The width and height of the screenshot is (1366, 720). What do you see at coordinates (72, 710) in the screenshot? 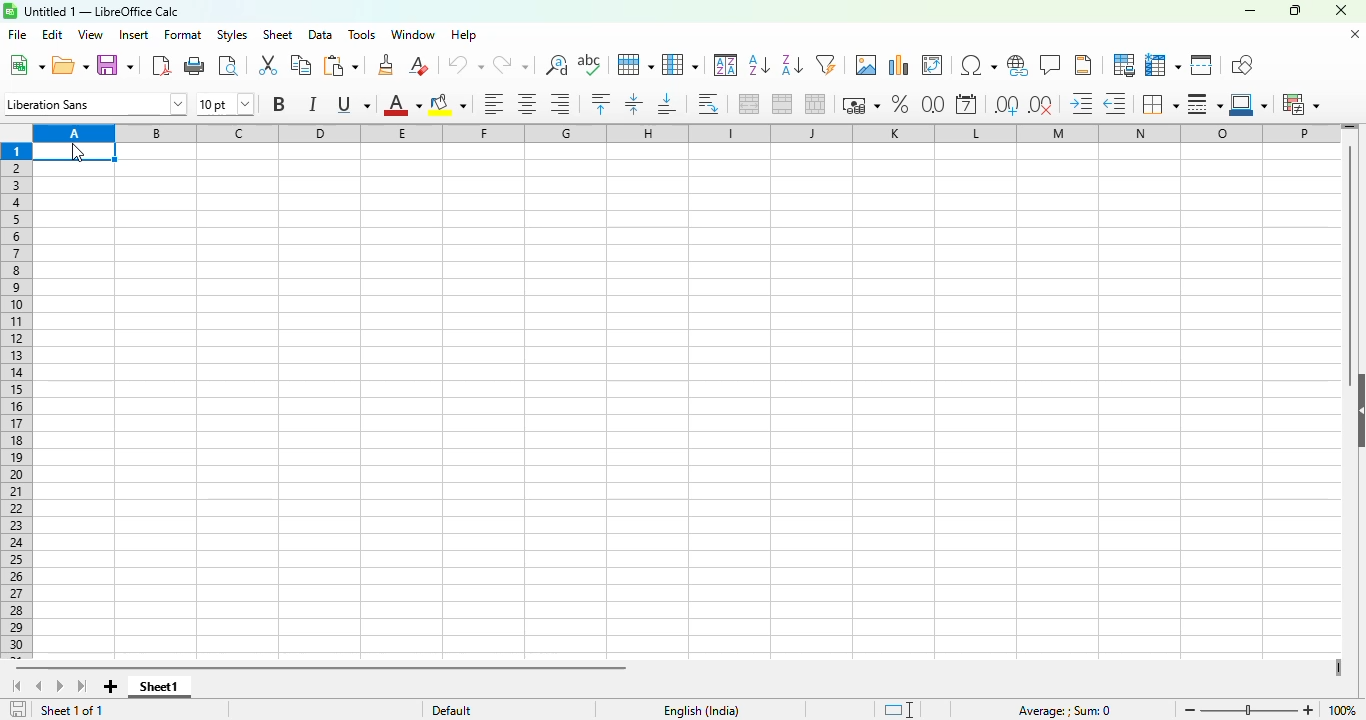
I see `sheet 1 of 1` at bounding box center [72, 710].